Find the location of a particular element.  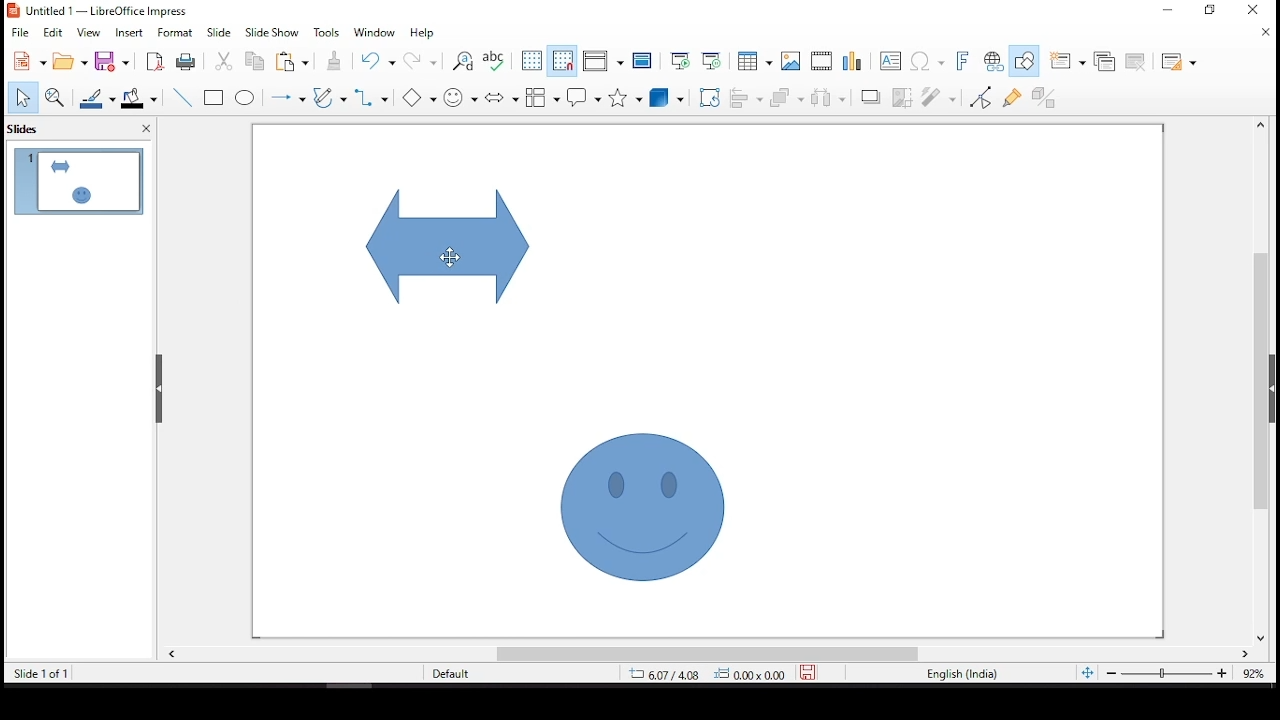

display grid is located at coordinates (531, 62).